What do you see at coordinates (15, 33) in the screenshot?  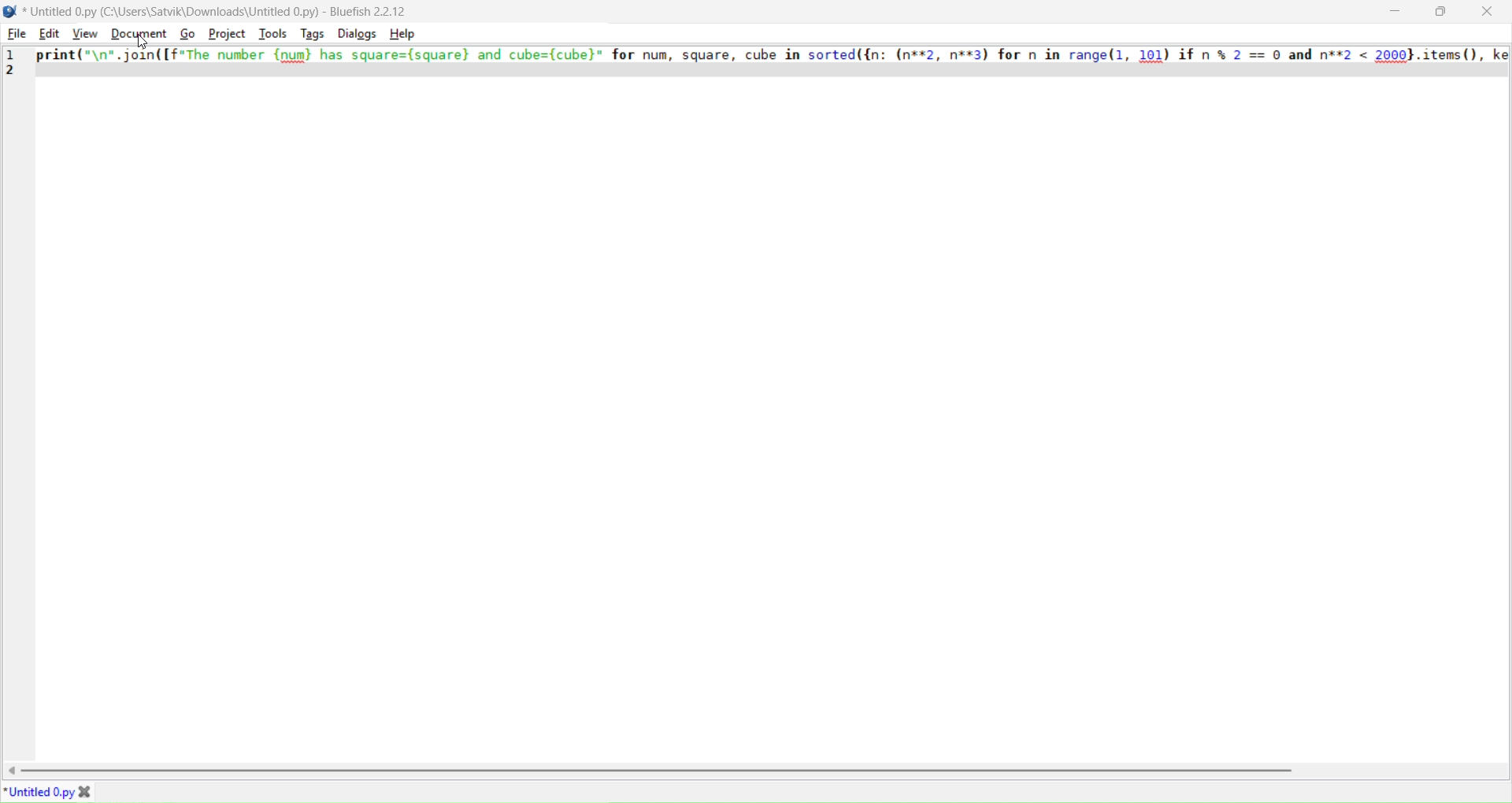 I see `file` at bounding box center [15, 33].